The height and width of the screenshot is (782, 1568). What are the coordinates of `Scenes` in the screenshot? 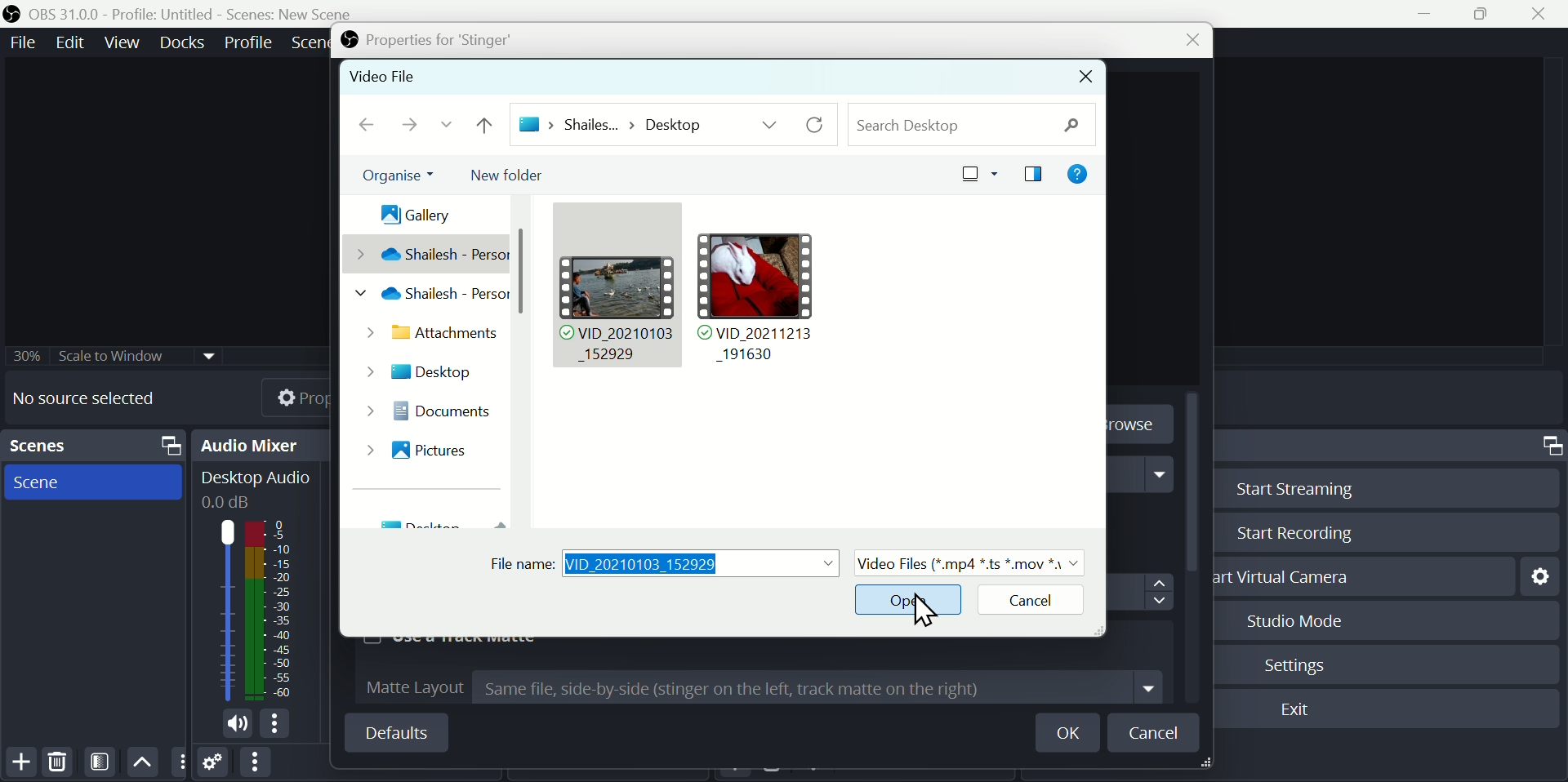 It's located at (97, 446).